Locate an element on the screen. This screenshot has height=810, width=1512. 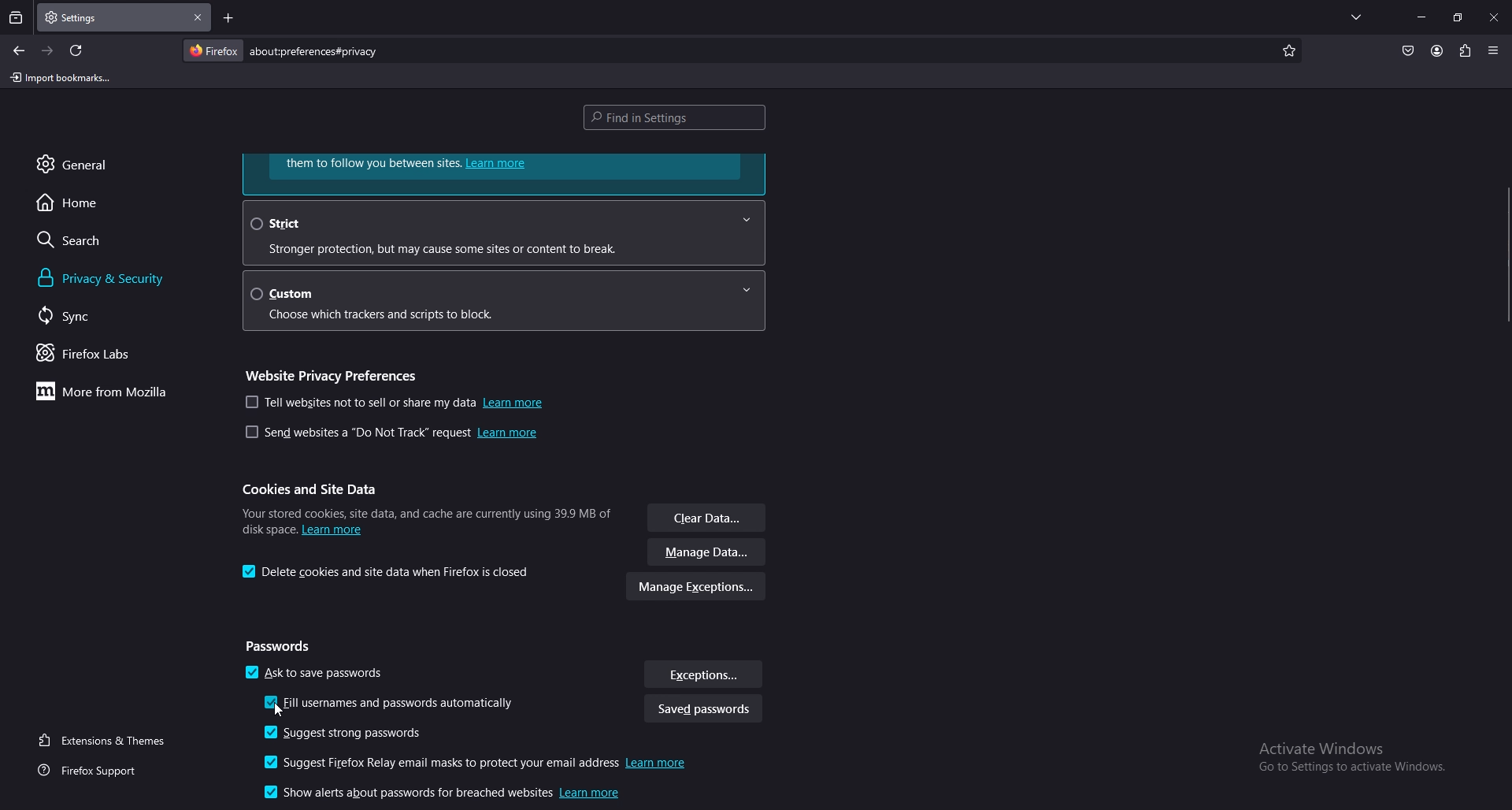
ask to save pass is located at coordinates (317, 675).